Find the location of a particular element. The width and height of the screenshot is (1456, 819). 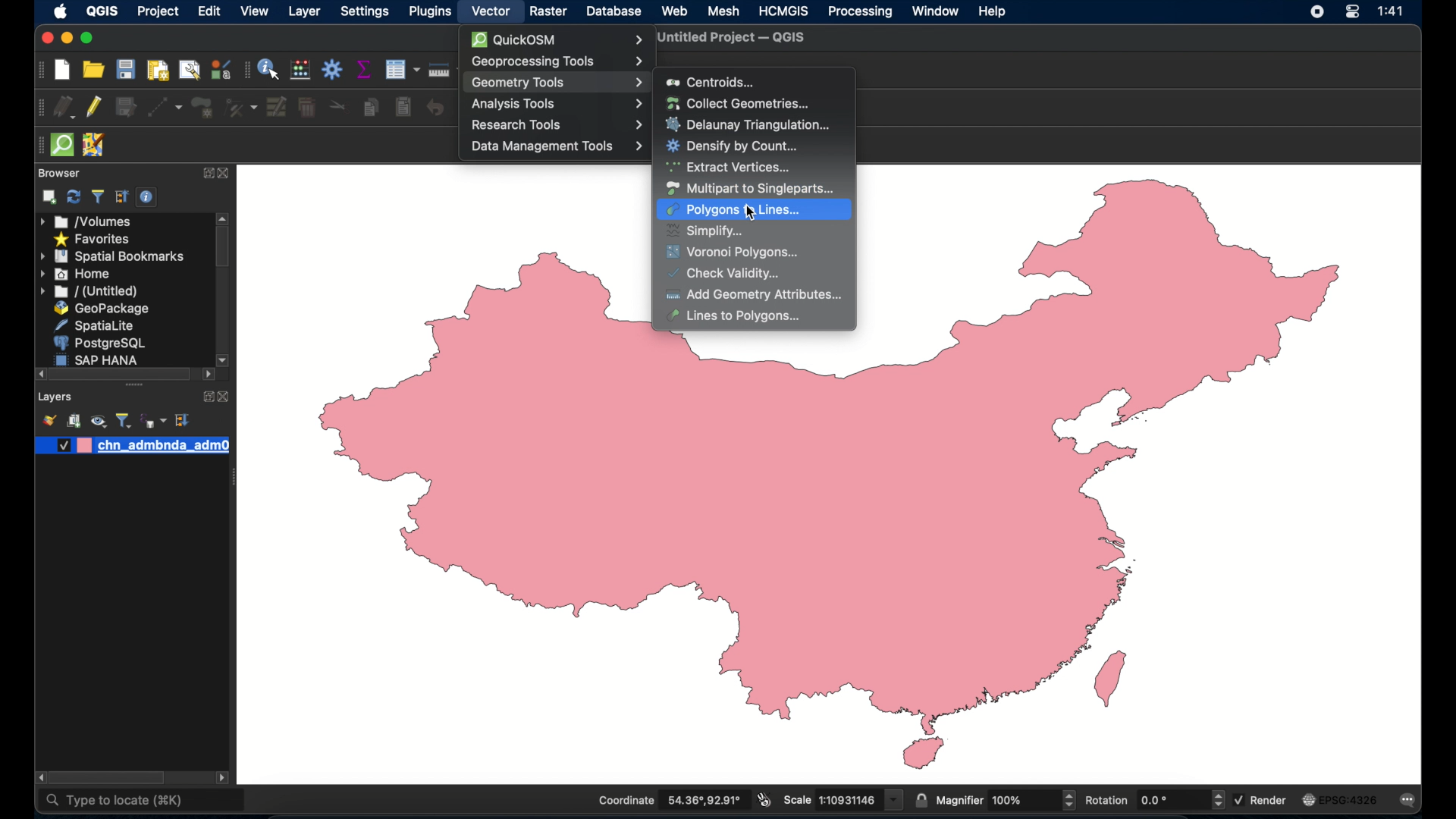

new project is located at coordinates (63, 70).